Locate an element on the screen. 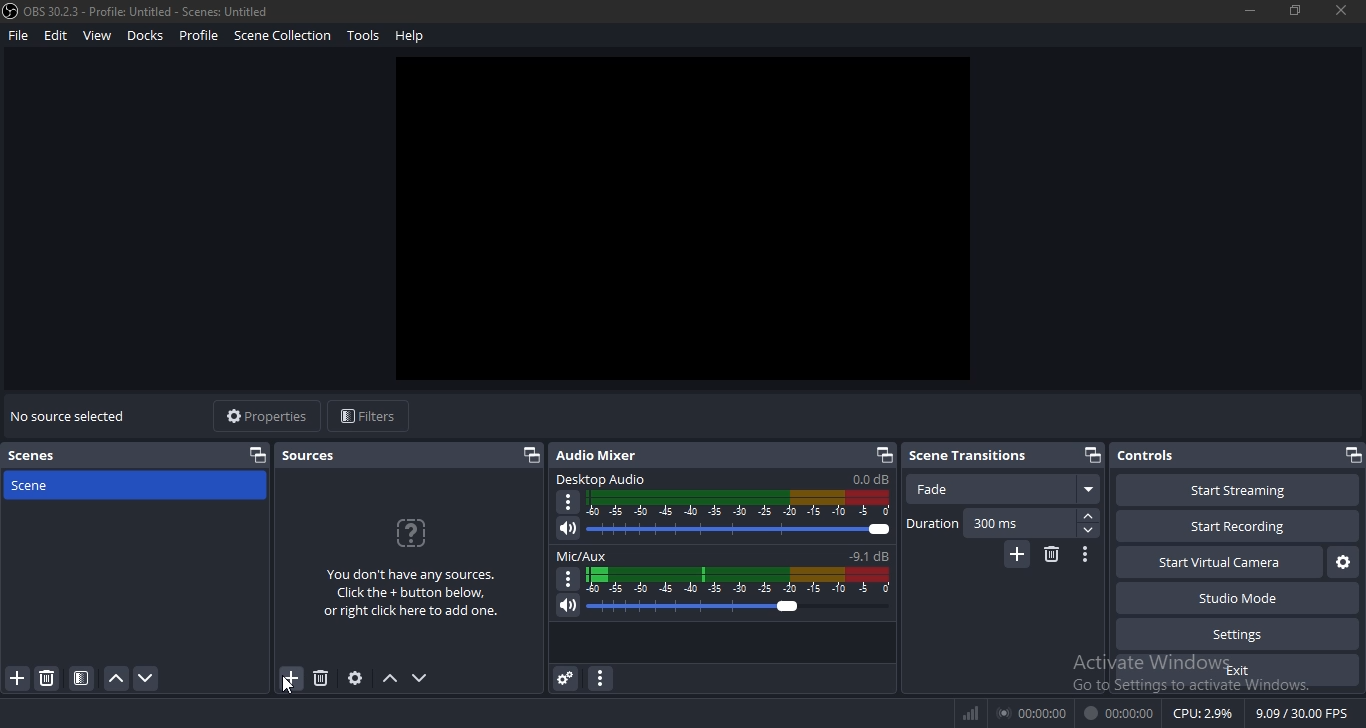 The image size is (1366, 728). scenes is located at coordinates (34, 457).